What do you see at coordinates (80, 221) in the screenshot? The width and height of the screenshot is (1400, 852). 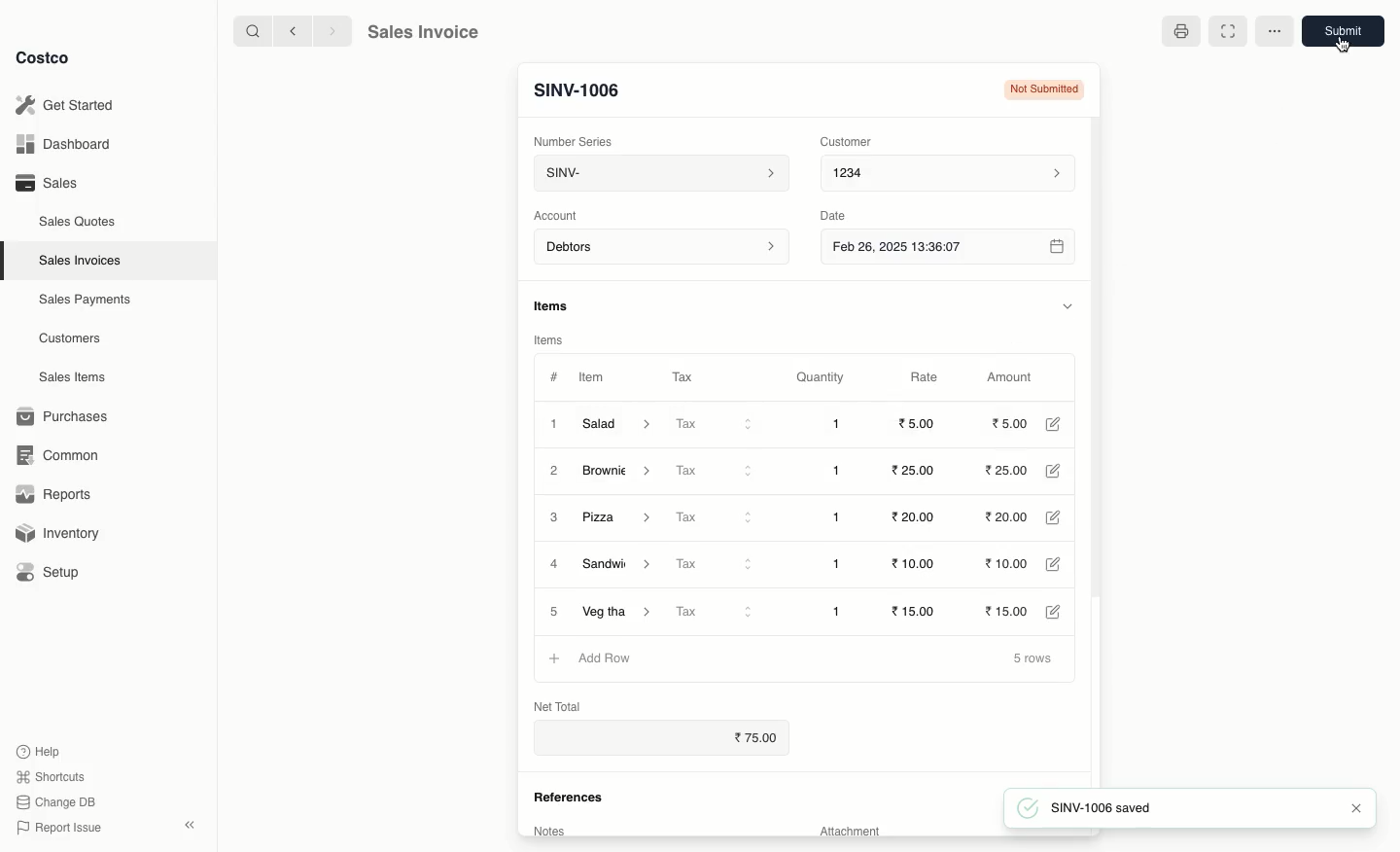 I see `Sales Quotes` at bounding box center [80, 221].